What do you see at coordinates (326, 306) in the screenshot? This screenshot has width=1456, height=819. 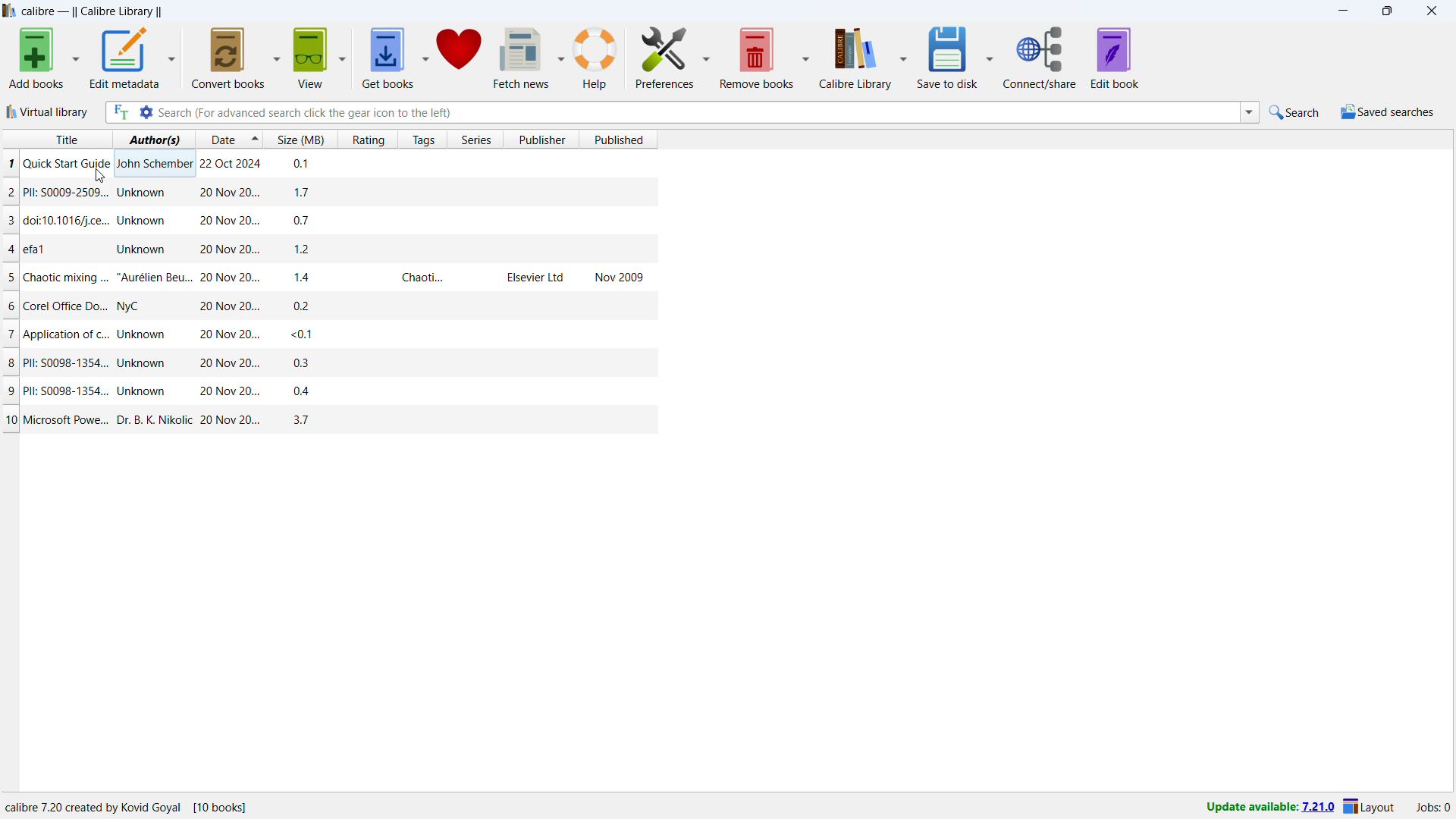 I see `one book entry` at bounding box center [326, 306].